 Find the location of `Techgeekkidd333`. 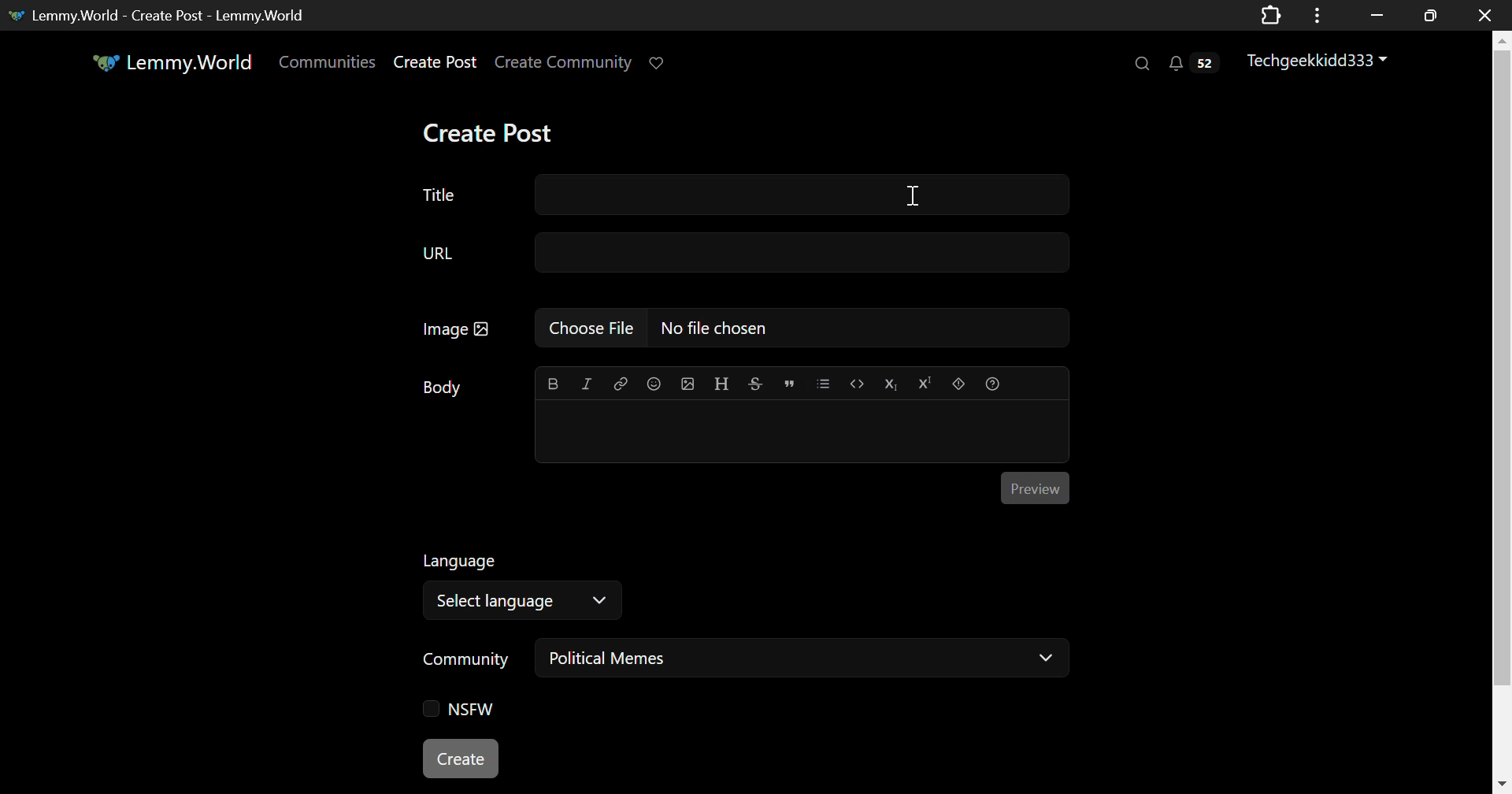

Techgeekkidd333 is located at coordinates (1317, 61).